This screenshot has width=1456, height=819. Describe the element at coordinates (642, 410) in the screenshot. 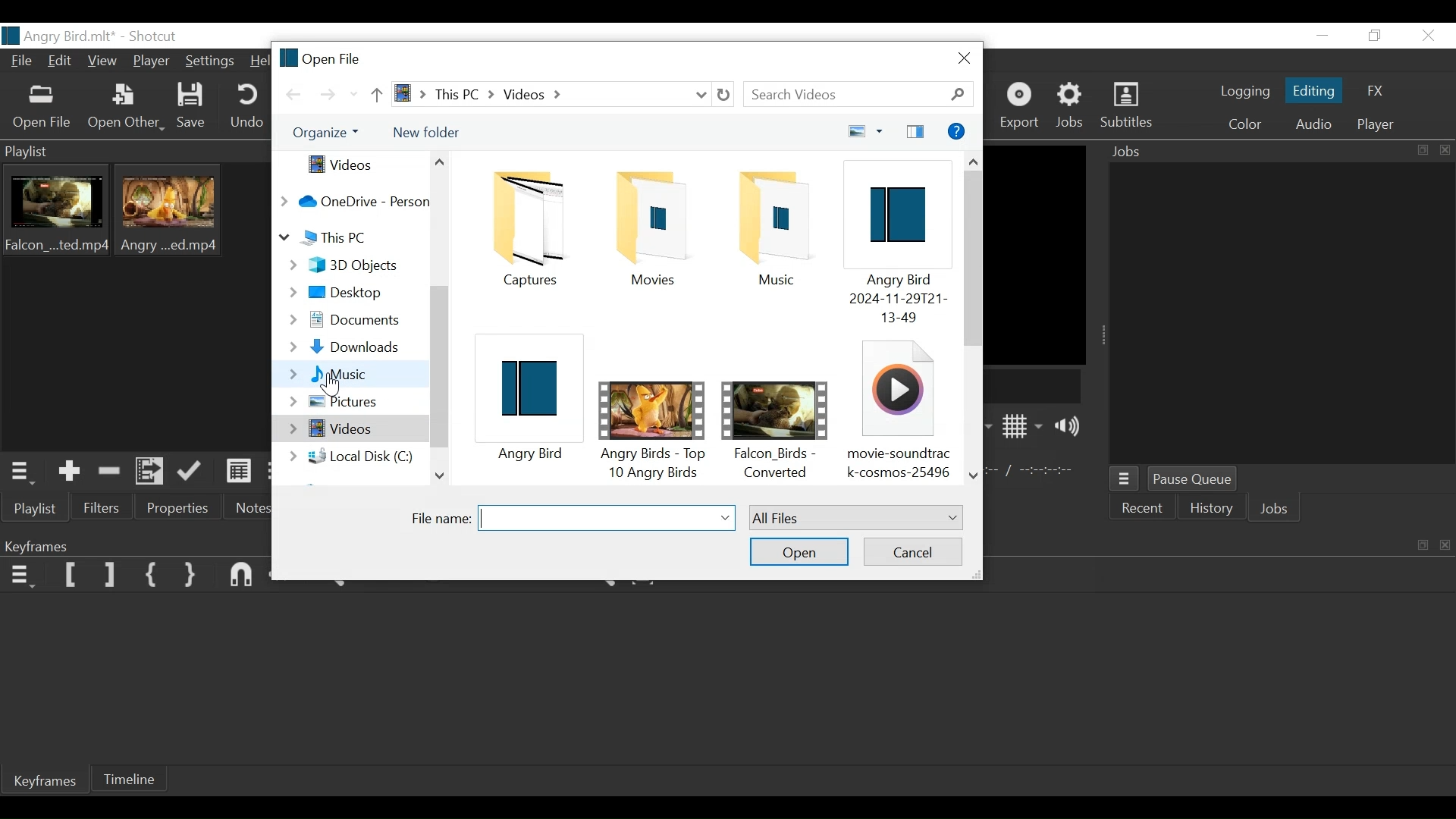

I see `Video File` at that location.